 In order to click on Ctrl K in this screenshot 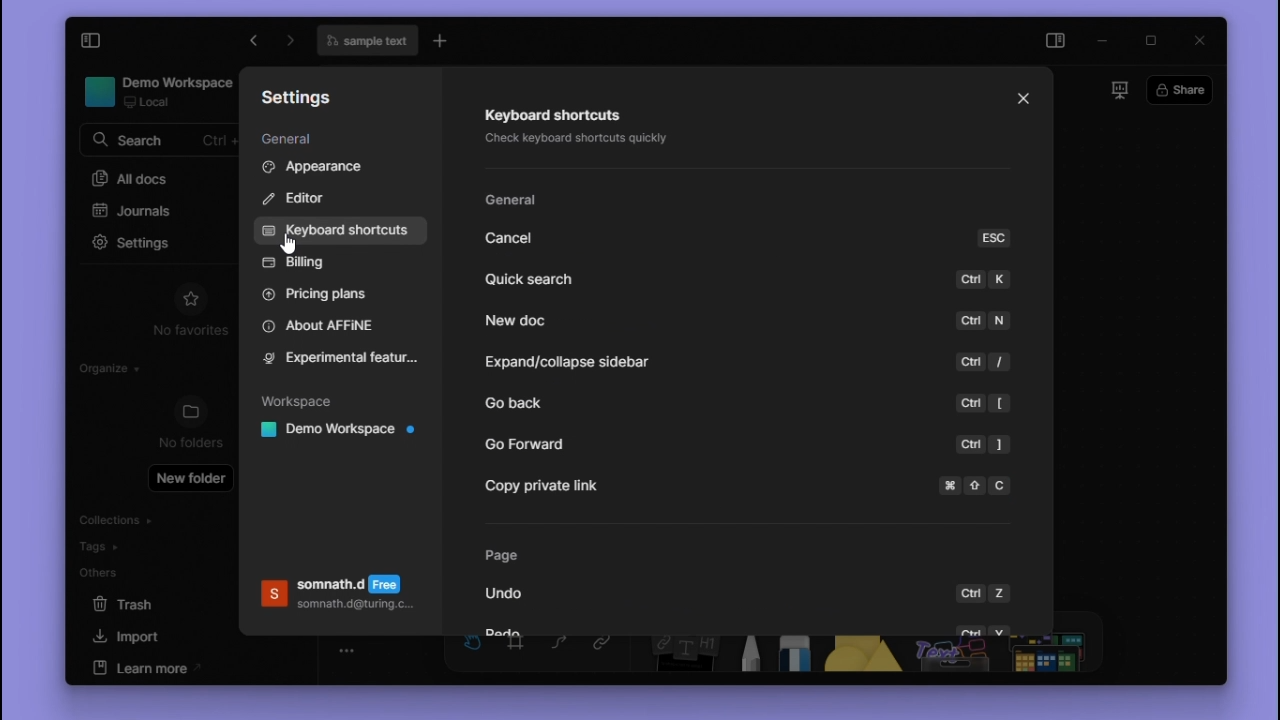, I will do `click(983, 283)`.